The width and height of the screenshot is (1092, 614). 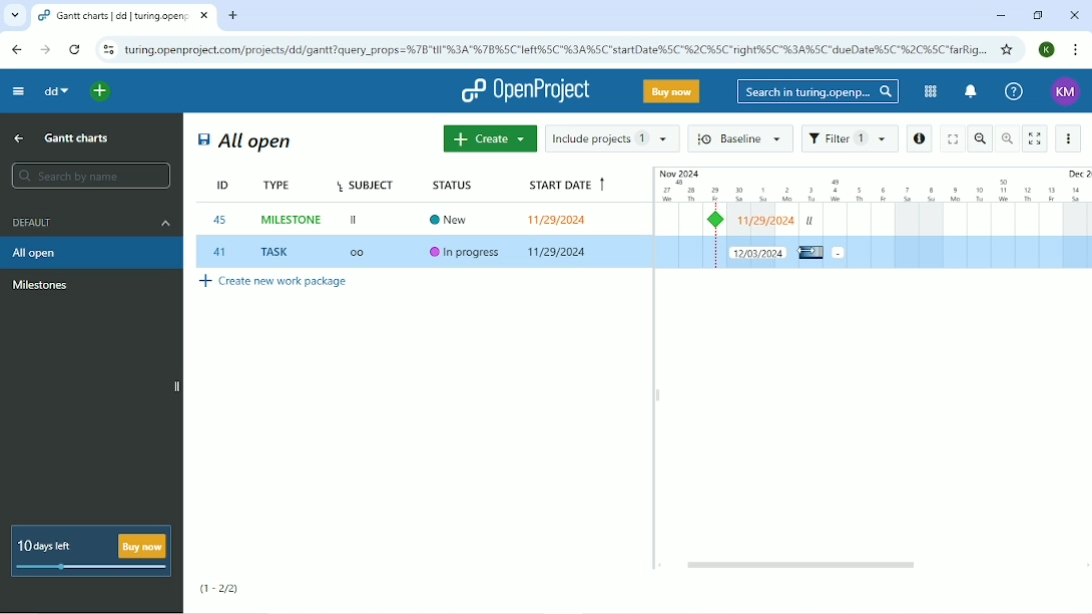 What do you see at coordinates (1046, 50) in the screenshot?
I see `Account` at bounding box center [1046, 50].